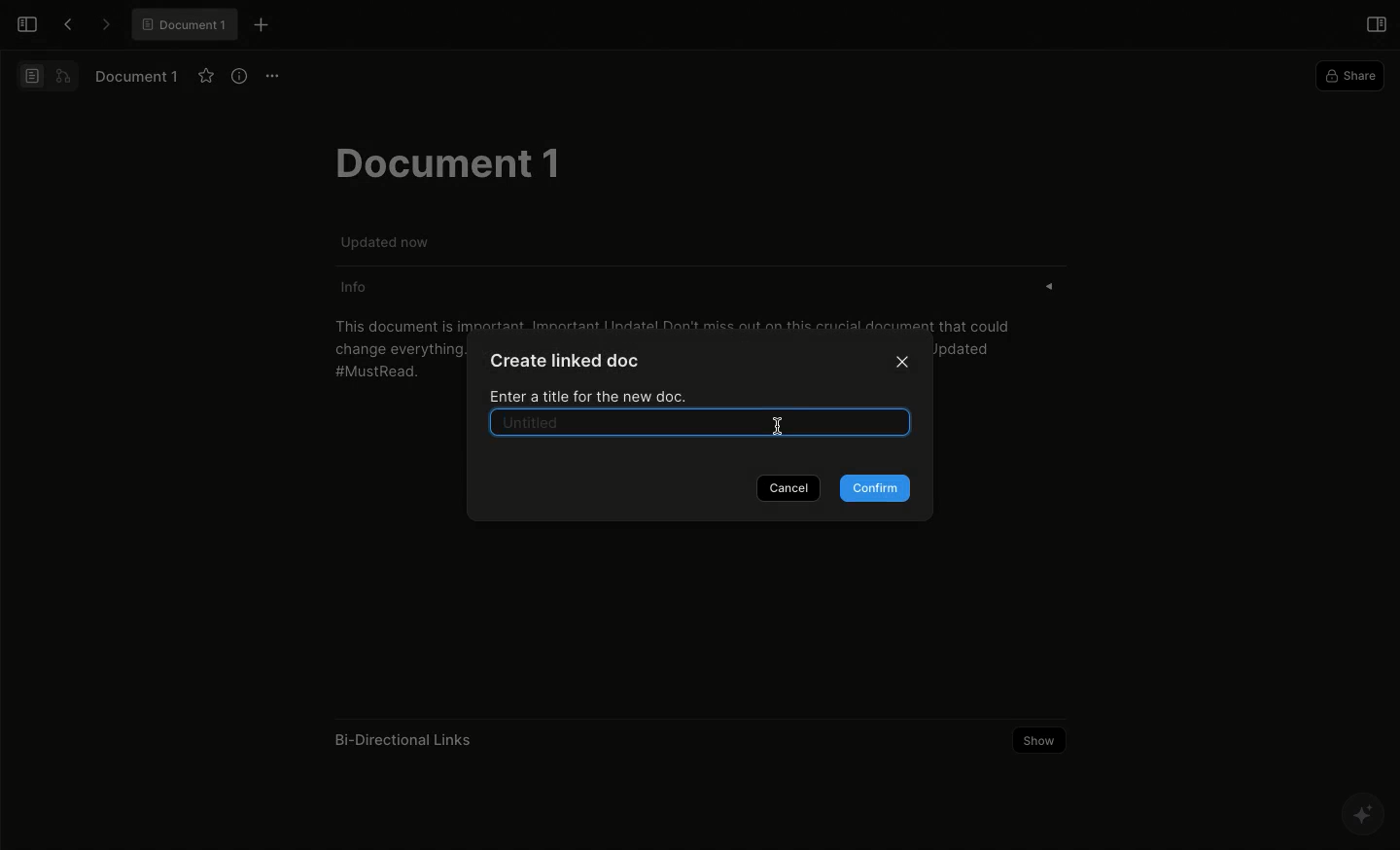 The height and width of the screenshot is (850, 1400). I want to click on Back, so click(62, 23).